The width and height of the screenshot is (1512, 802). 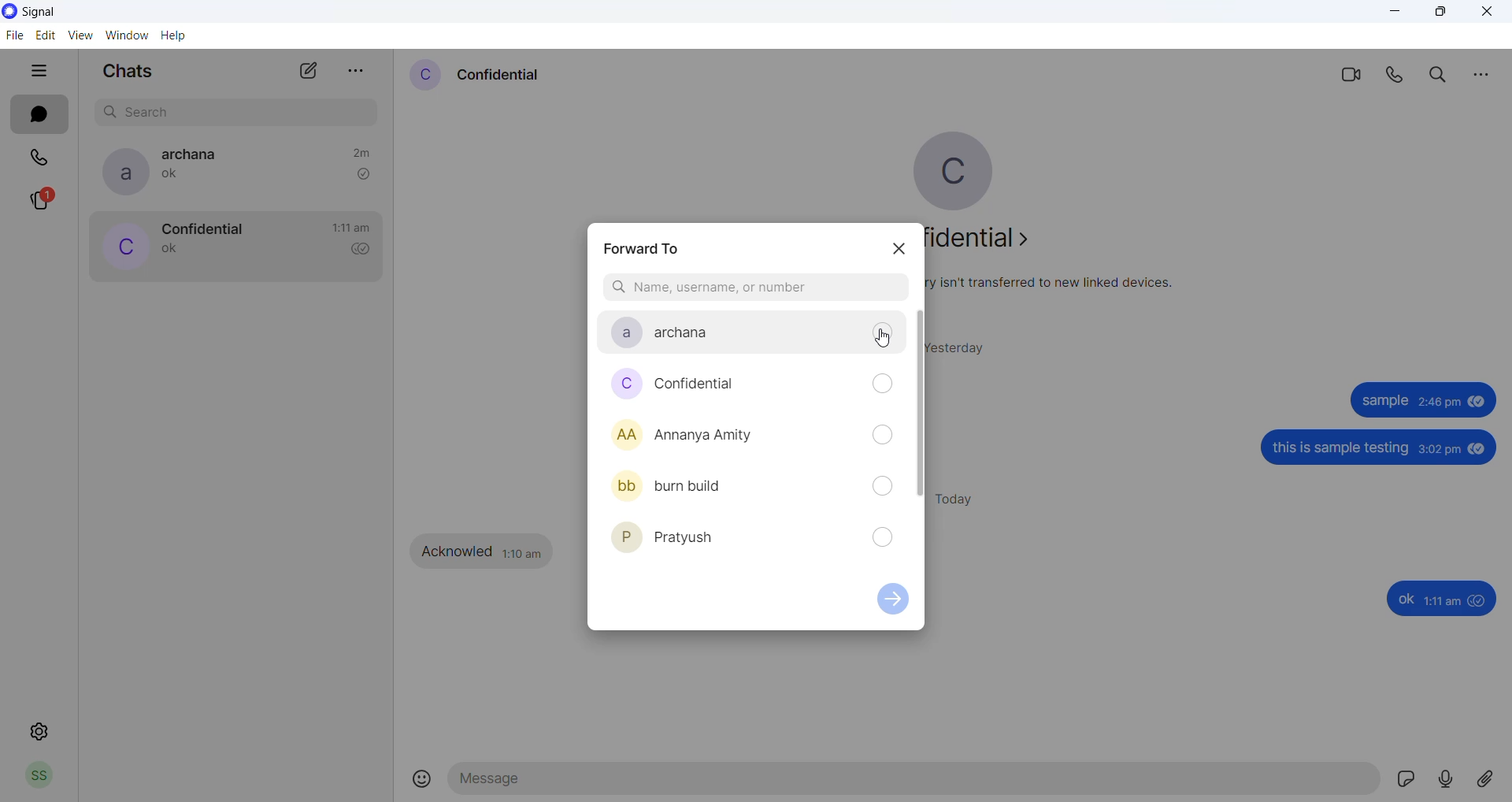 What do you see at coordinates (196, 154) in the screenshot?
I see `contact name` at bounding box center [196, 154].